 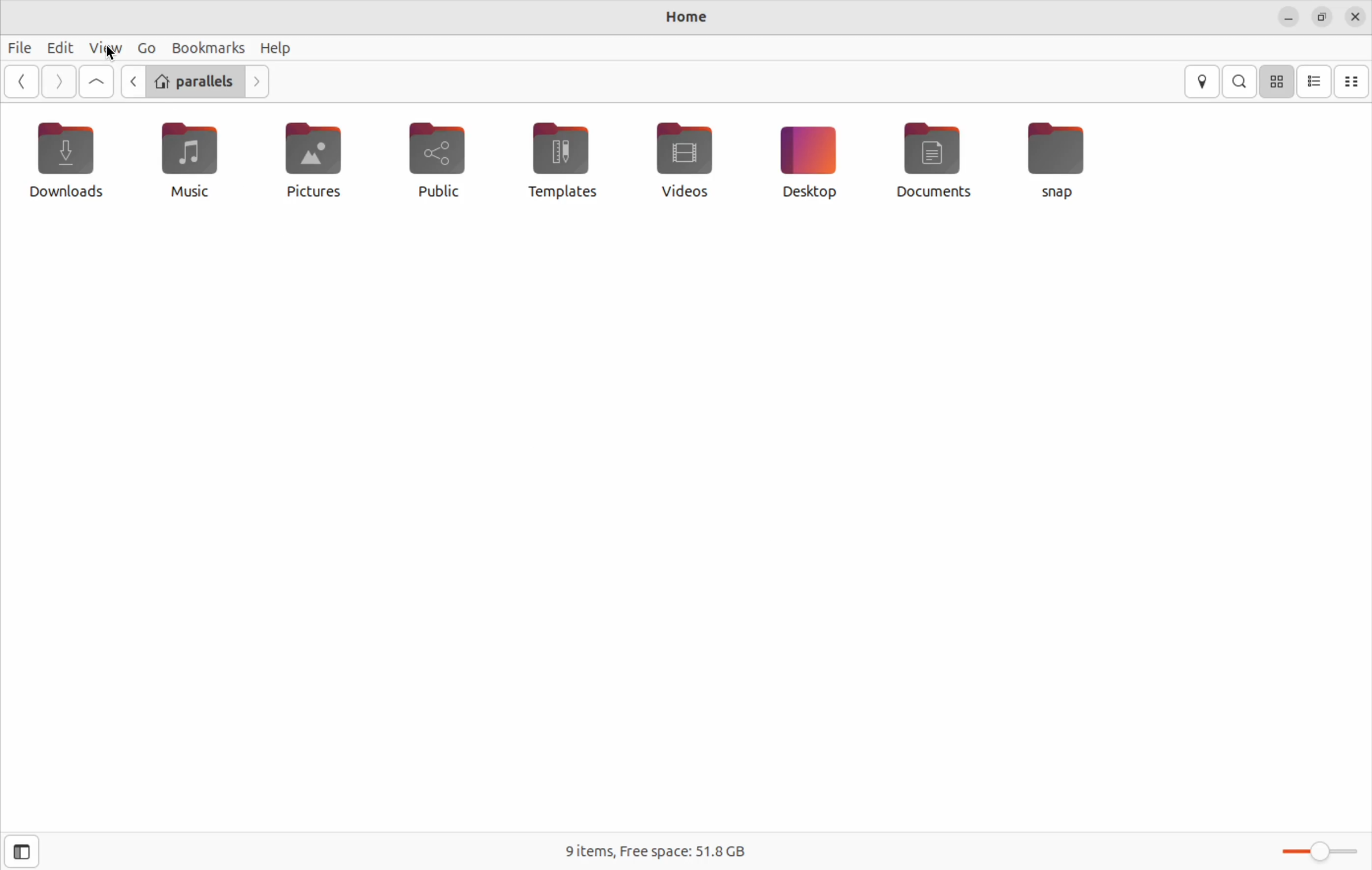 I want to click on cursor, so click(x=114, y=56).